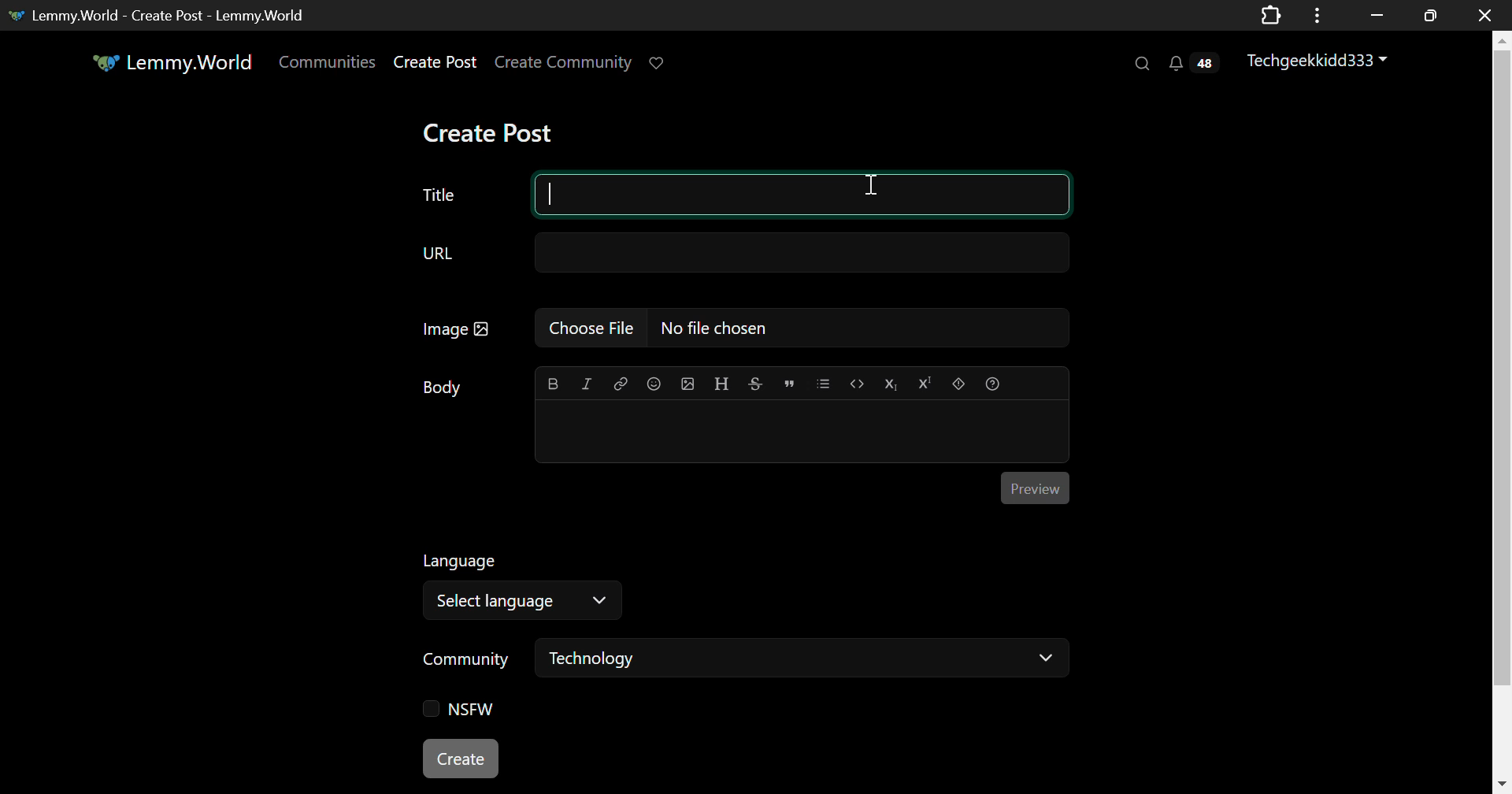  Describe the element at coordinates (1377, 15) in the screenshot. I see `Restore Down` at that location.